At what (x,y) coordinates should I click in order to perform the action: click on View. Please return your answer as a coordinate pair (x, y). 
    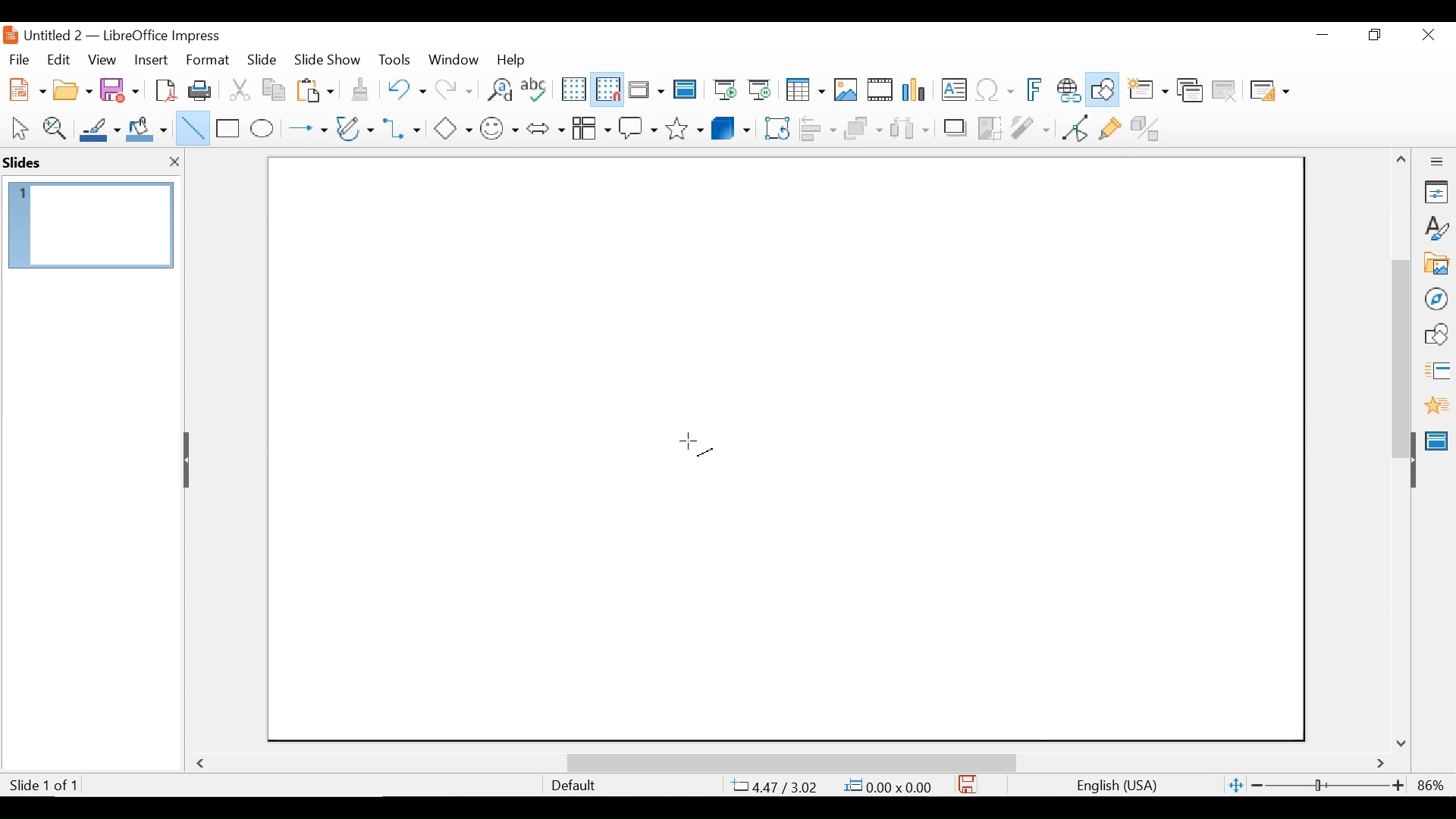
    Looking at the image, I should click on (102, 59).